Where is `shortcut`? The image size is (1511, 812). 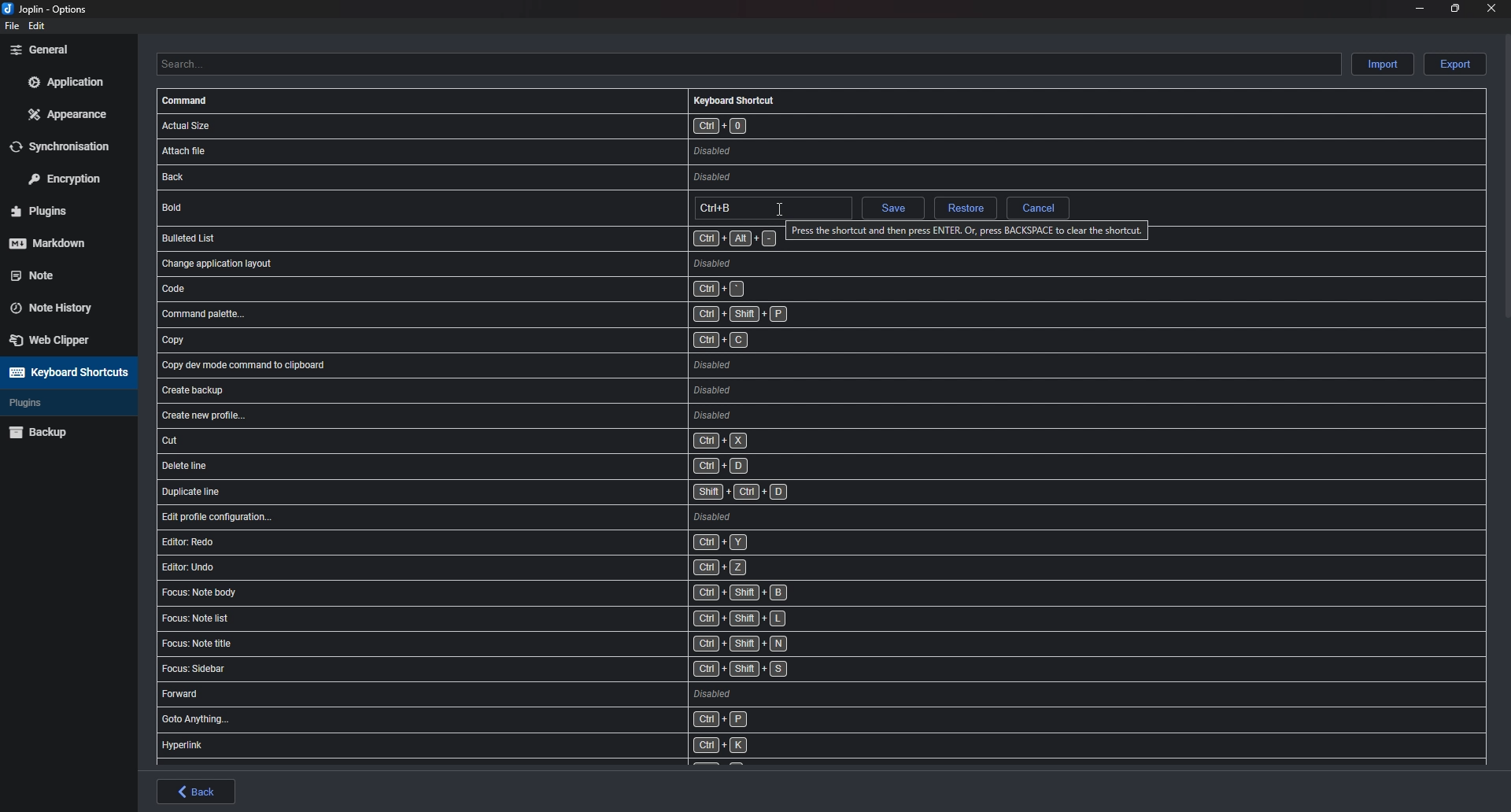 shortcut is located at coordinates (517, 621).